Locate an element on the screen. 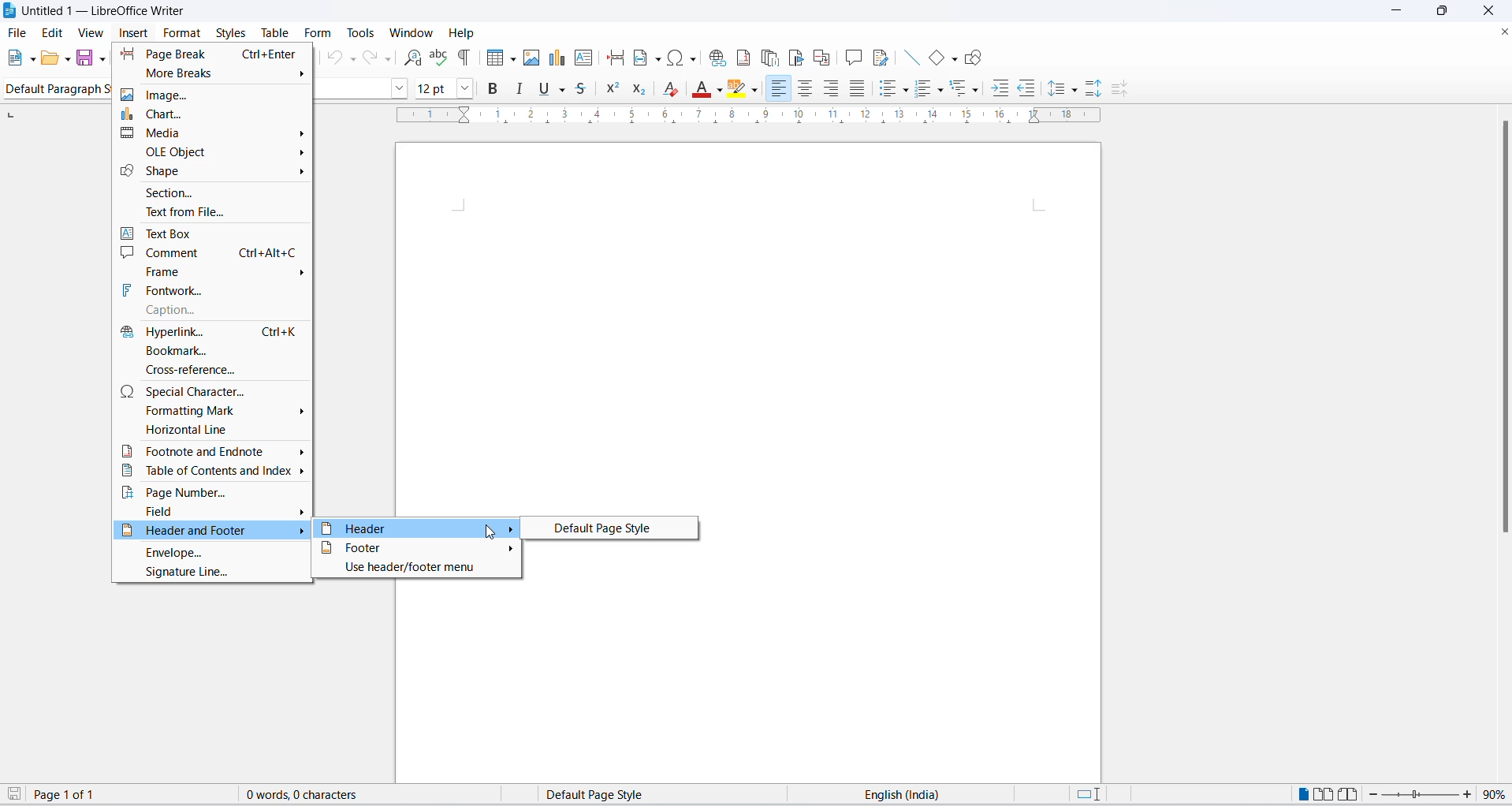 The width and height of the screenshot is (1512, 806). toggle ordered list options is located at coordinates (943, 92).